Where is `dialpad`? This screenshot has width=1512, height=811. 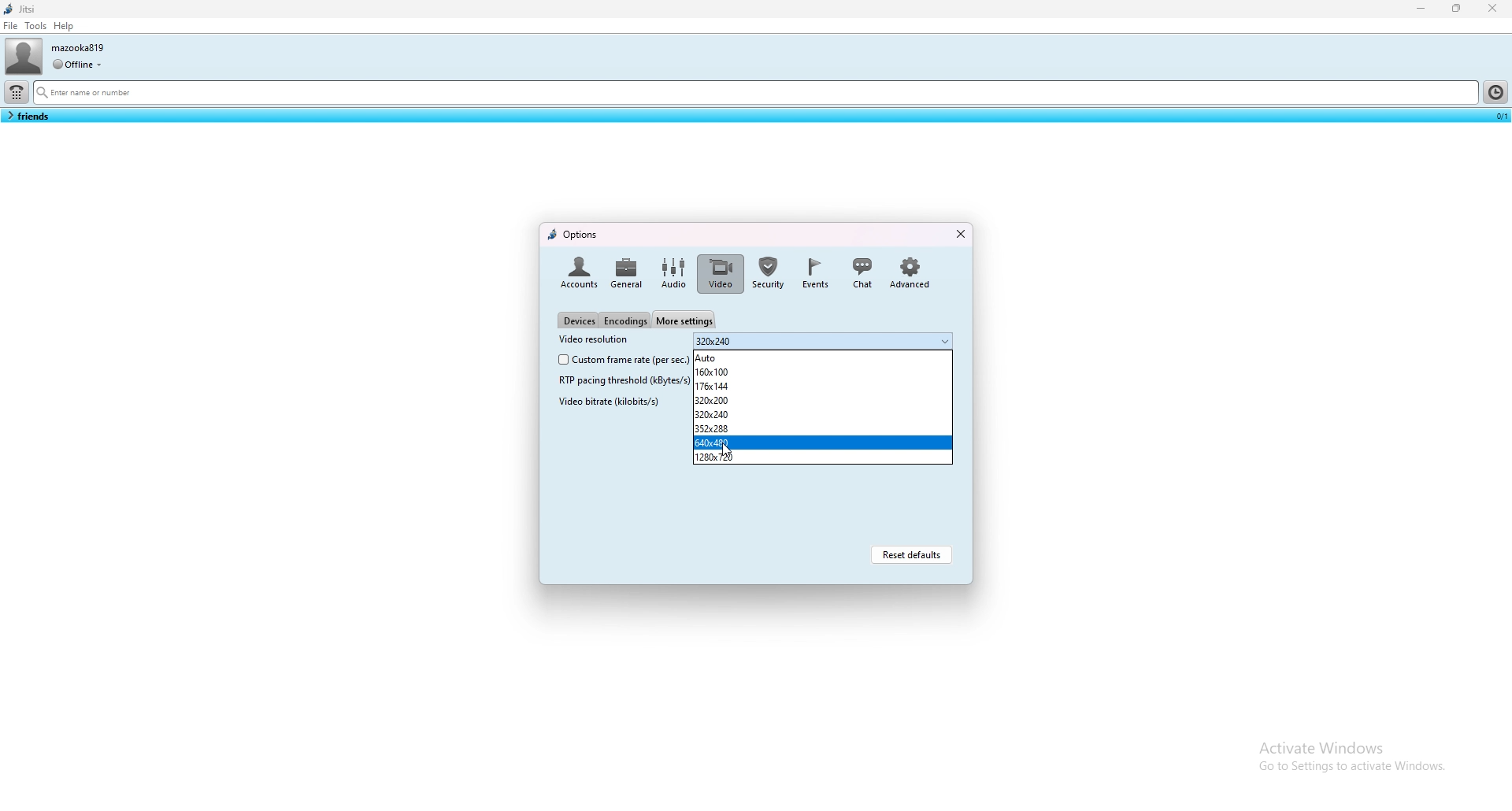
dialpad is located at coordinates (17, 92).